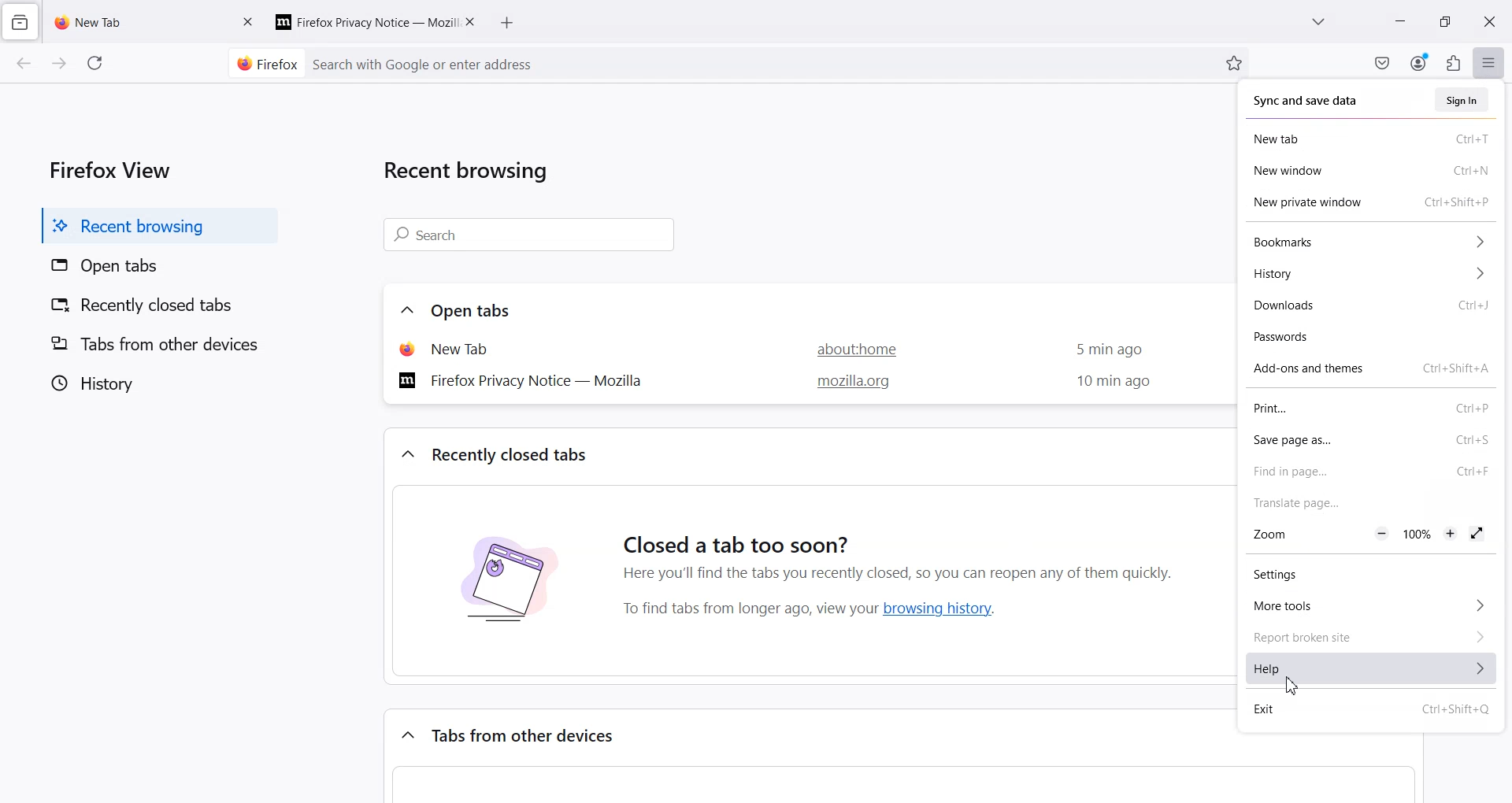  What do you see at coordinates (405, 455) in the screenshot?
I see `Drop down box of recently closed tab` at bounding box center [405, 455].